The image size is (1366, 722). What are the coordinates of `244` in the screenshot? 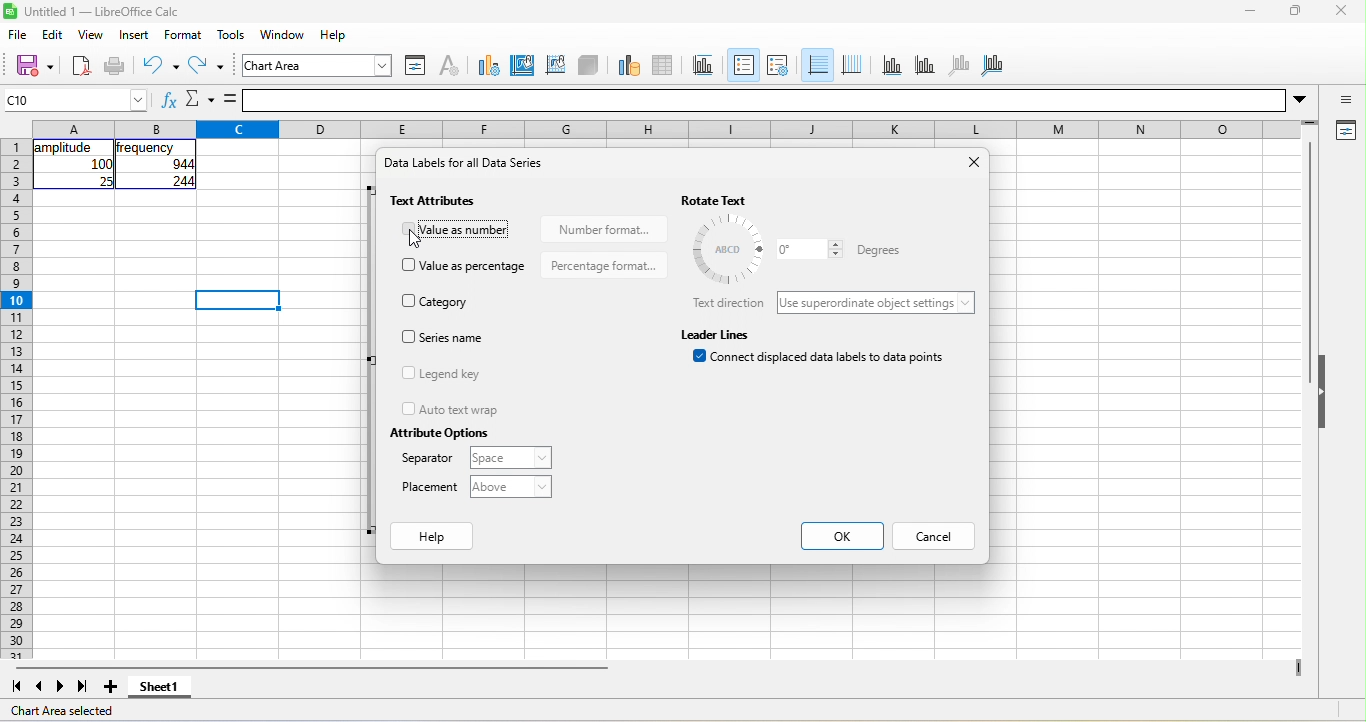 It's located at (180, 182).